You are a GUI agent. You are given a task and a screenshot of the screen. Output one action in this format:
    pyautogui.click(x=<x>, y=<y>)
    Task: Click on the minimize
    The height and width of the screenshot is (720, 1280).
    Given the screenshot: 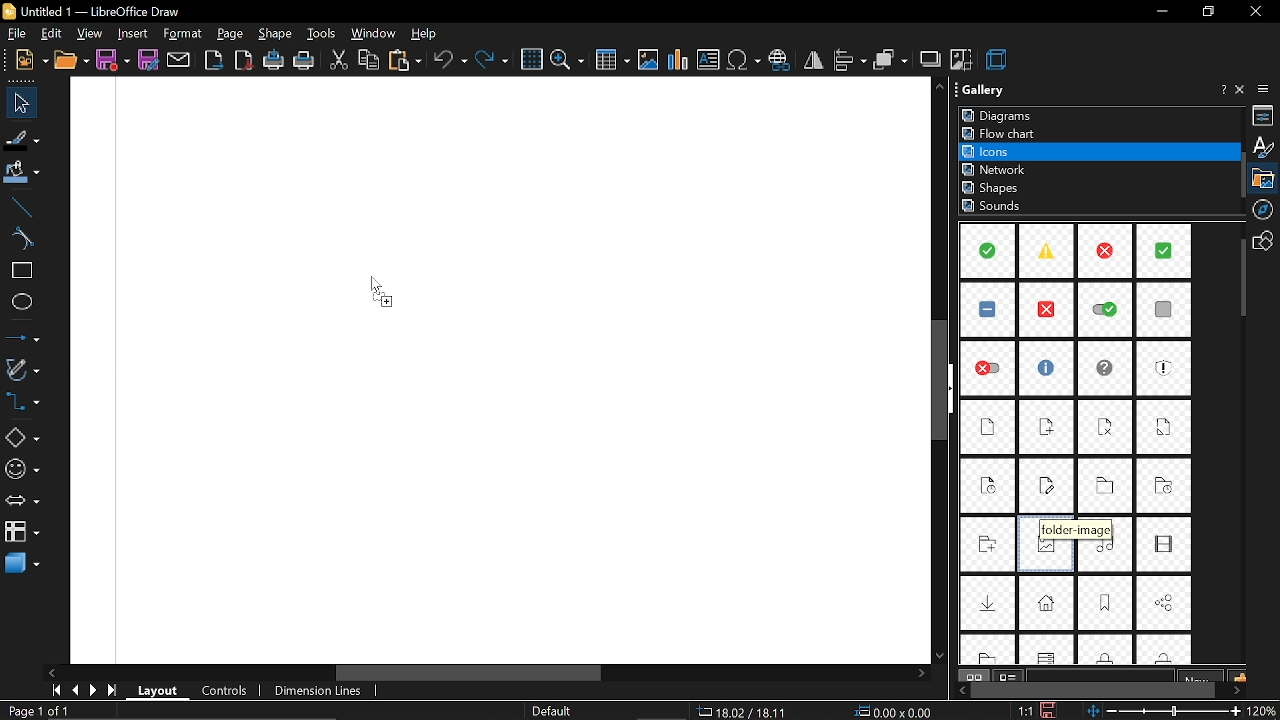 What is the action you would take?
    pyautogui.click(x=1164, y=11)
    